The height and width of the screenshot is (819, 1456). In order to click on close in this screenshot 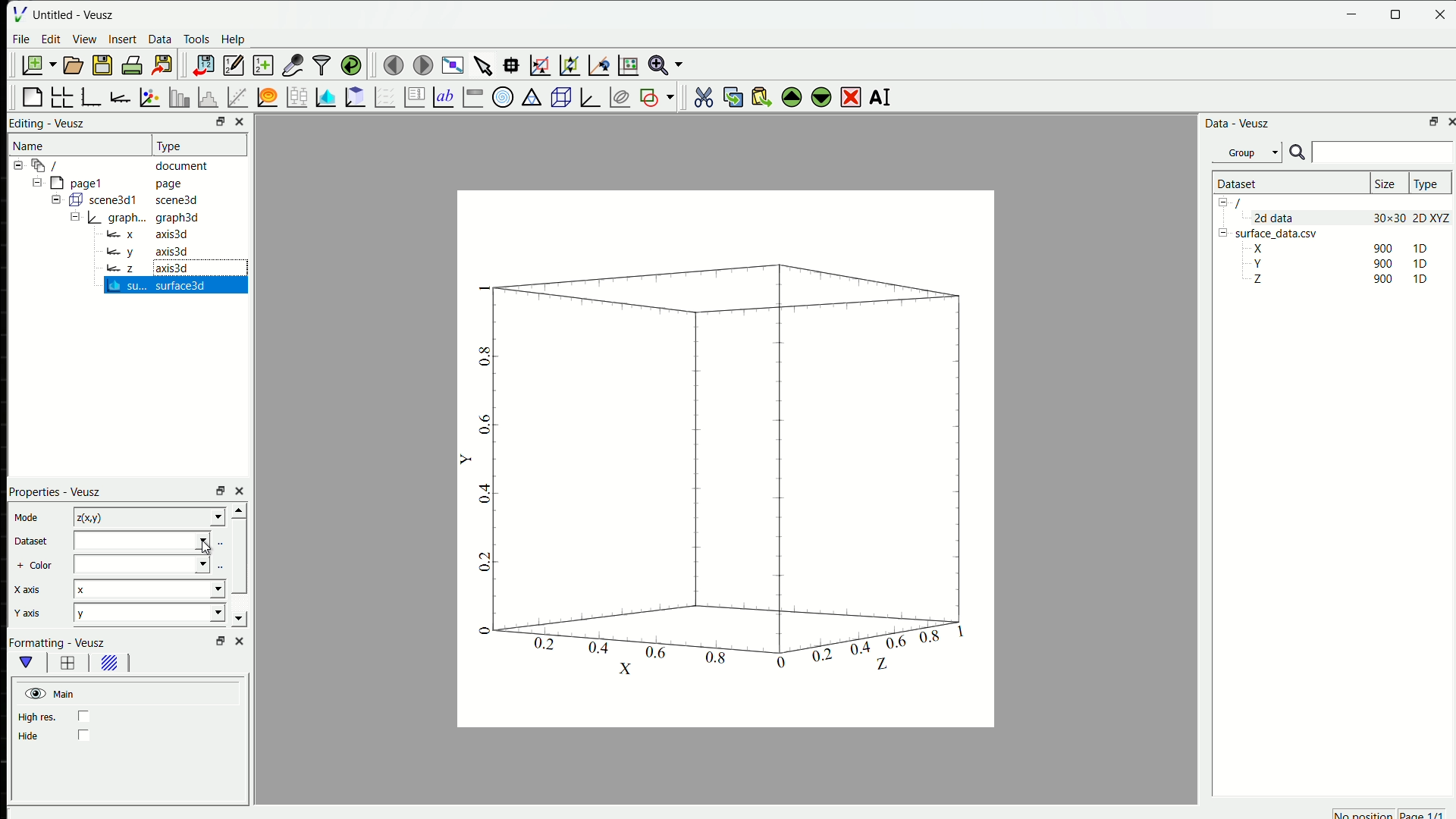, I will do `click(240, 641)`.